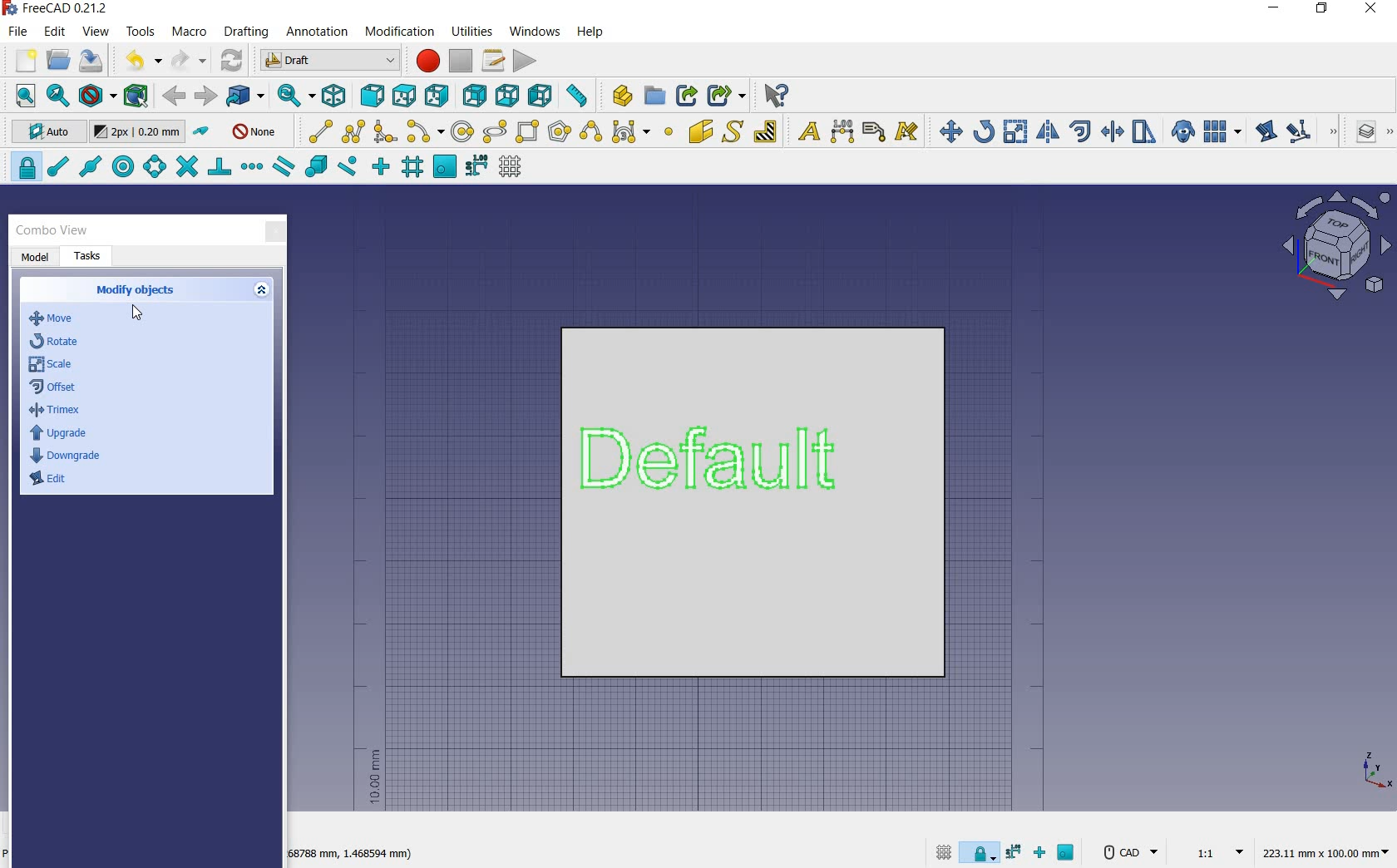  Describe the element at coordinates (318, 33) in the screenshot. I see `annotation` at that location.